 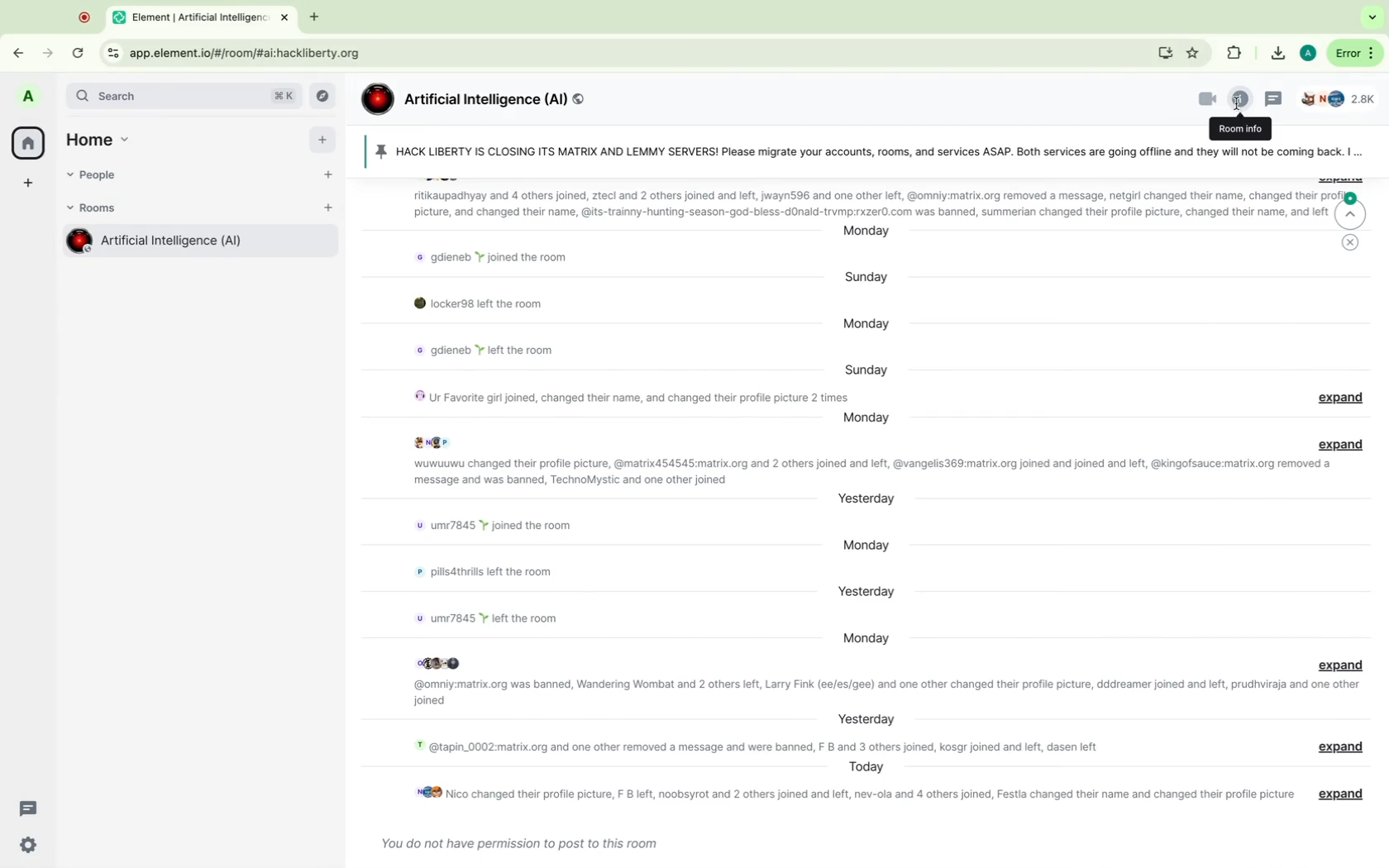 What do you see at coordinates (501, 258) in the screenshot?
I see `message` at bounding box center [501, 258].